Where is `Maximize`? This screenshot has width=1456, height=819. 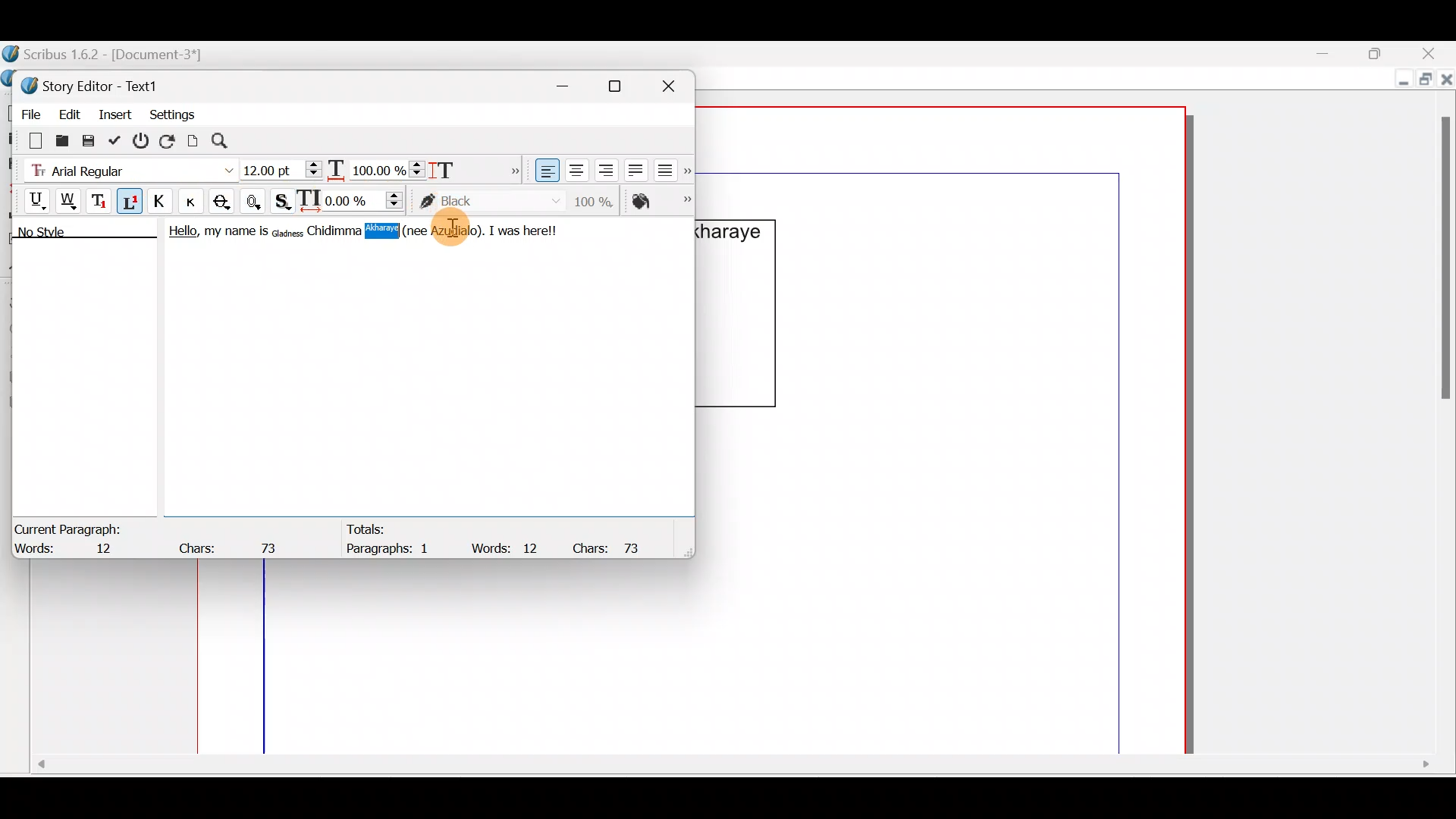
Maximize is located at coordinates (624, 86).